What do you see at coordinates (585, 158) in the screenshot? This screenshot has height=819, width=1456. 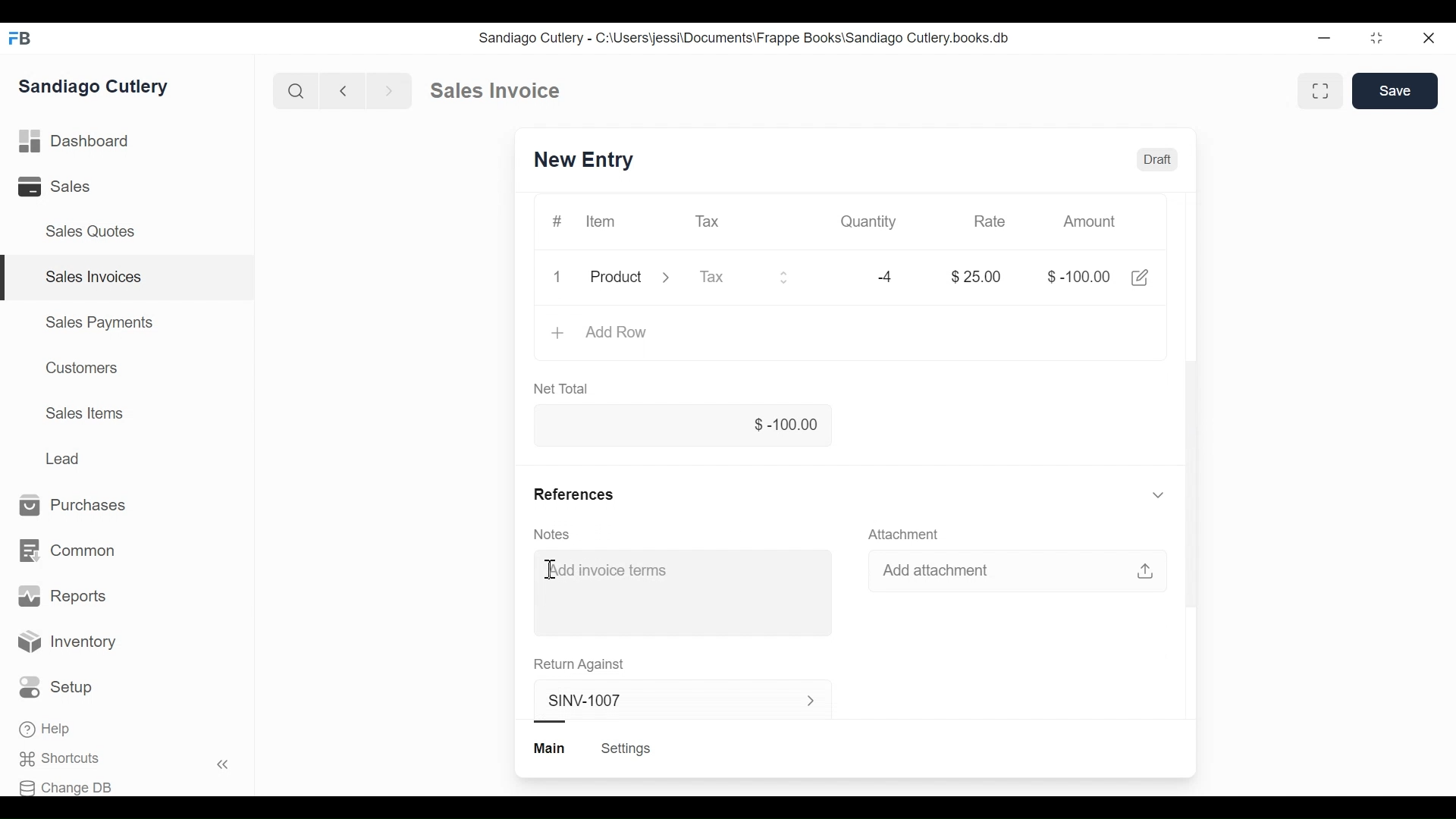 I see `SINV-1007` at bounding box center [585, 158].